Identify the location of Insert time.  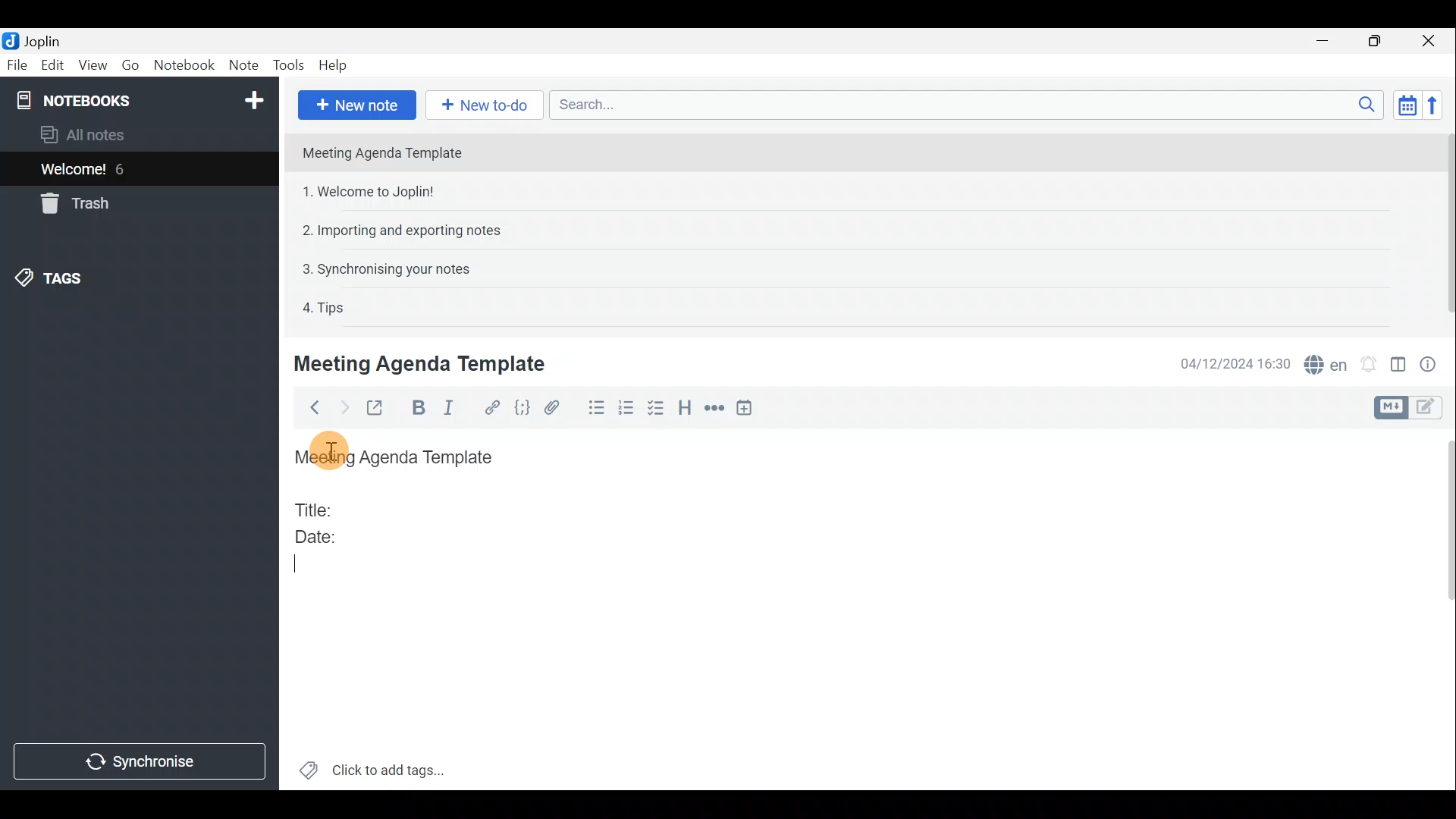
(748, 410).